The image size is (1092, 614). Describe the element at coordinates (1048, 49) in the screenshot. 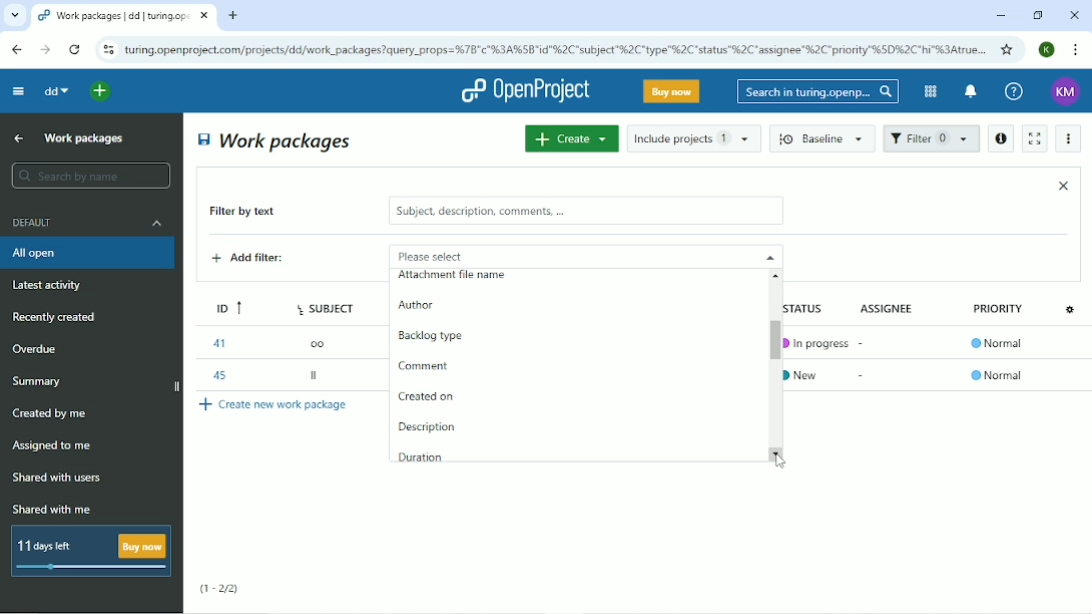

I see `Account` at that location.